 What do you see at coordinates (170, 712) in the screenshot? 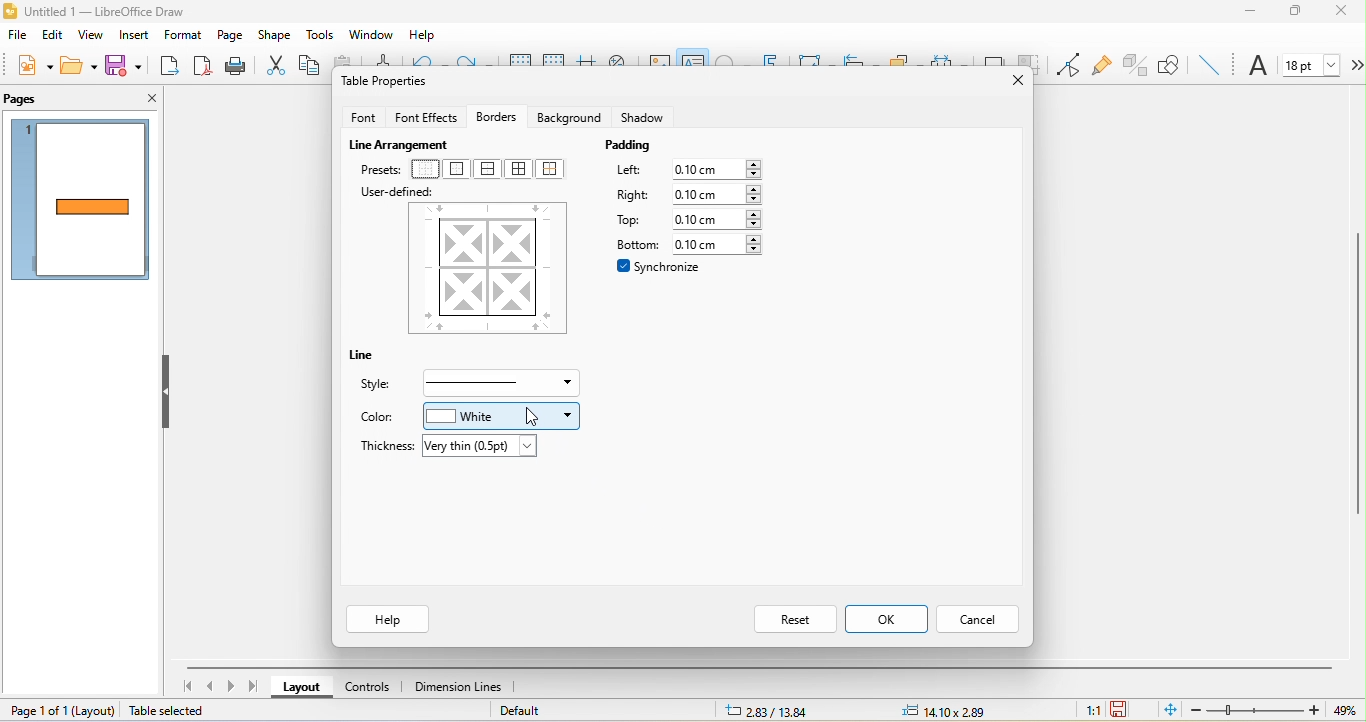
I see `table selected` at bounding box center [170, 712].